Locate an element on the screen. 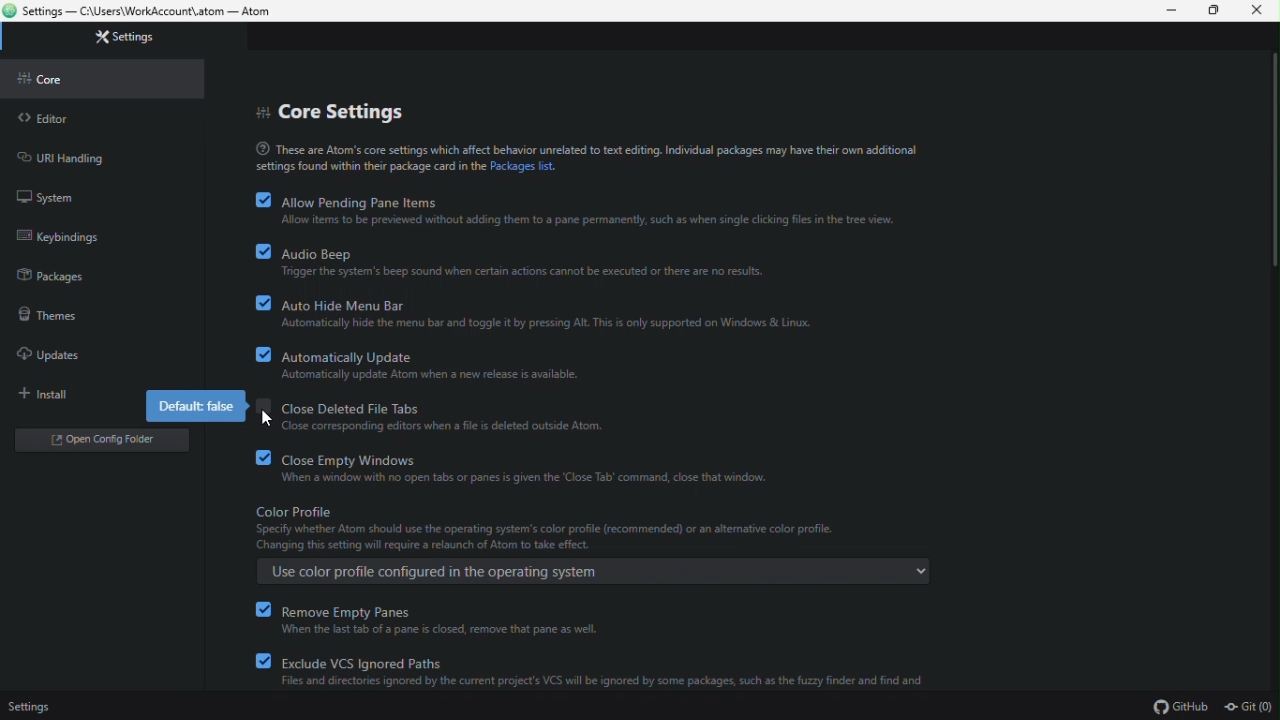 The width and height of the screenshot is (1280, 720). close empty windows is located at coordinates (531, 470).